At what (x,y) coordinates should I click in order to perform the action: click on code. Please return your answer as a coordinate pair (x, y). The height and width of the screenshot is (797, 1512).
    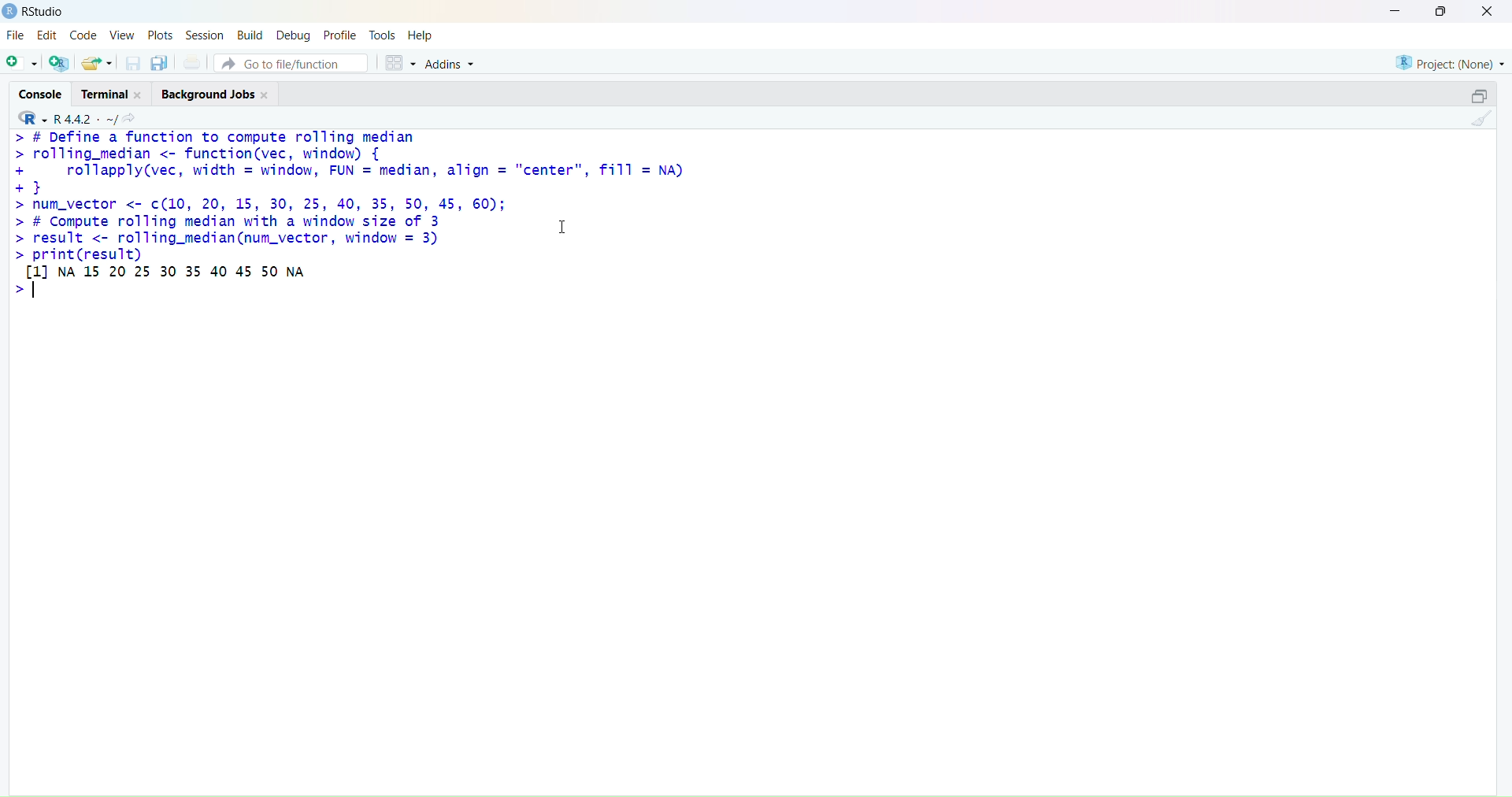
    Looking at the image, I should click on (84, 35).